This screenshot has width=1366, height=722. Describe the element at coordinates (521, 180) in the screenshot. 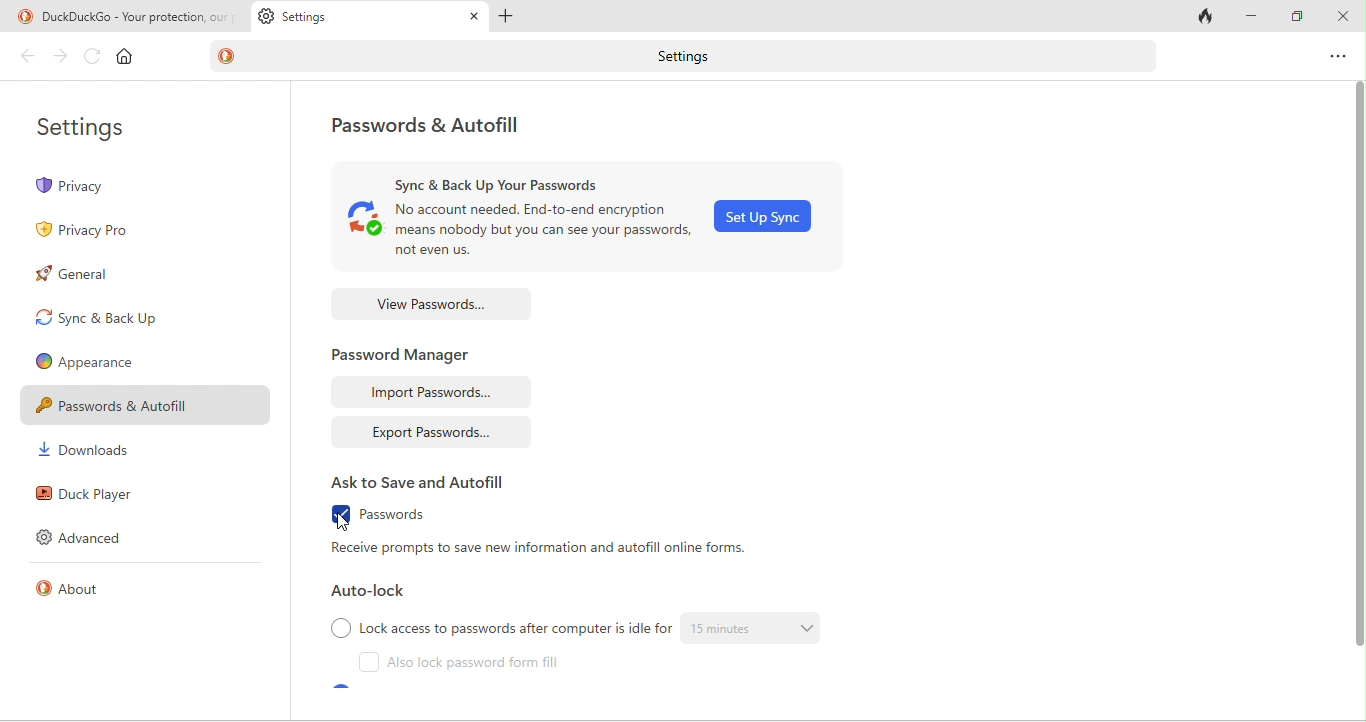

I see `sync and back up password ` at that location.